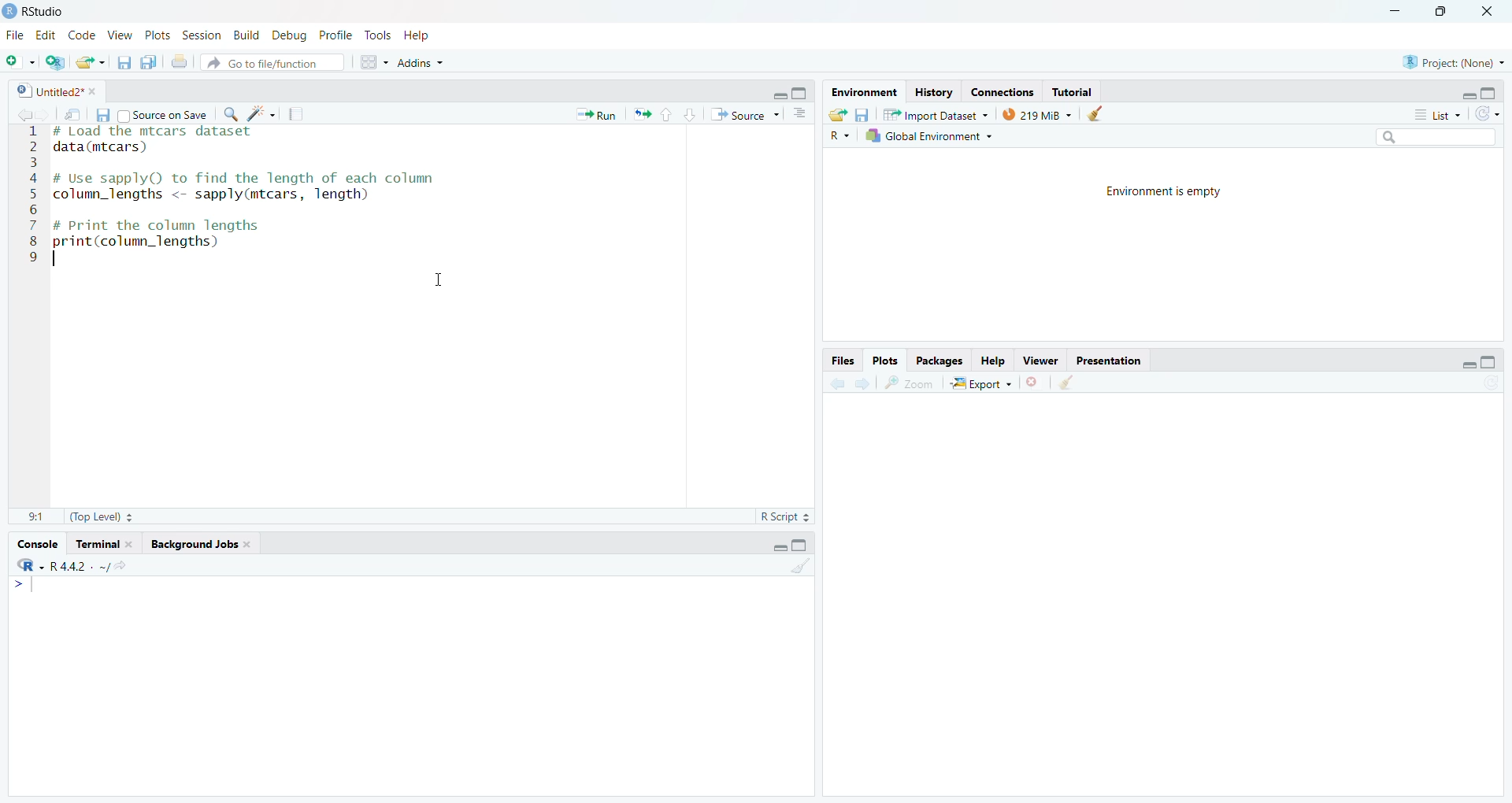  Describe the element at coordinates (802, 114) in the screenshot. I see `Show document outline` at that location.